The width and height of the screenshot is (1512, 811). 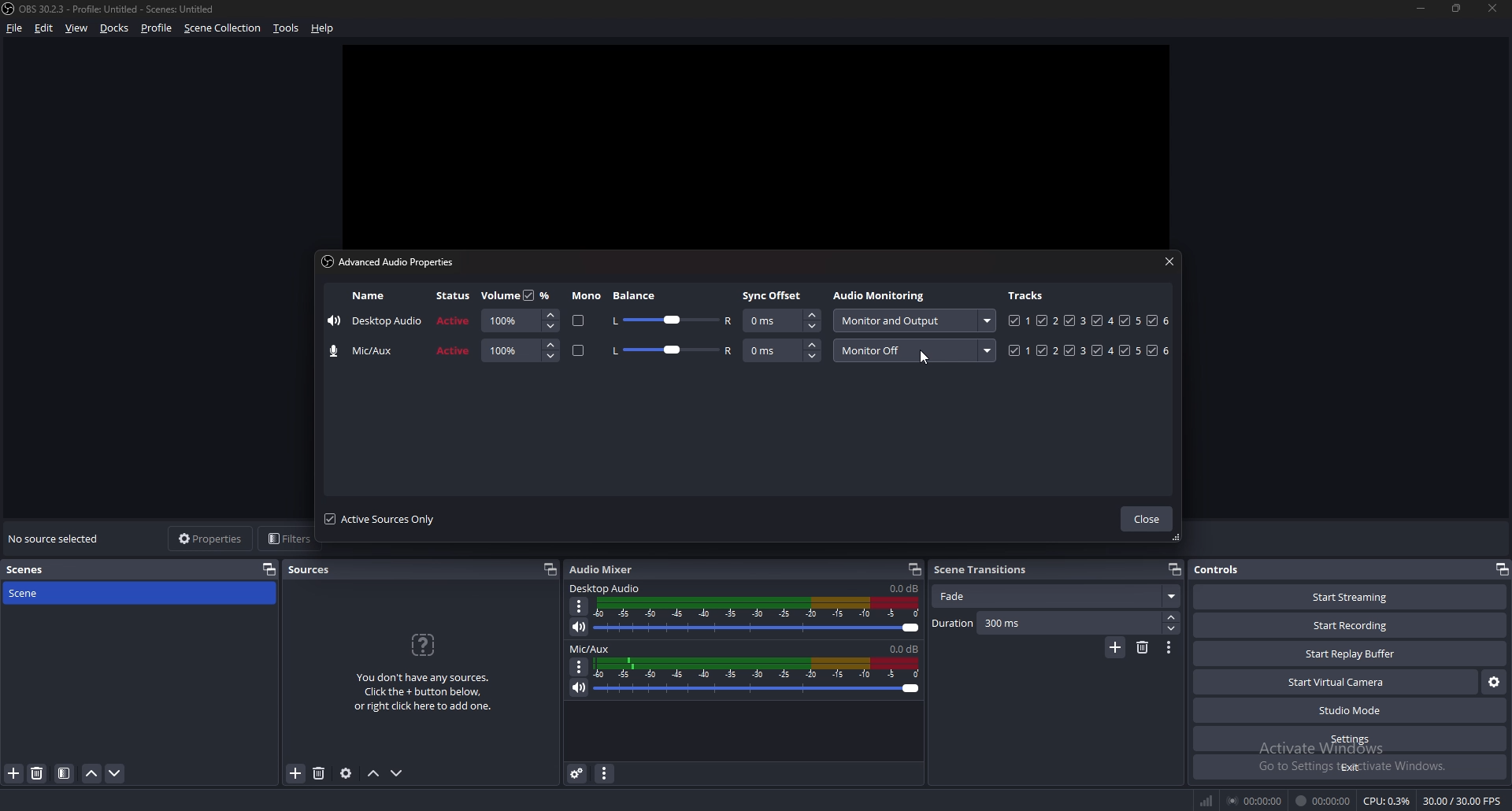 I want to click on status, so click(x=454, y=351).